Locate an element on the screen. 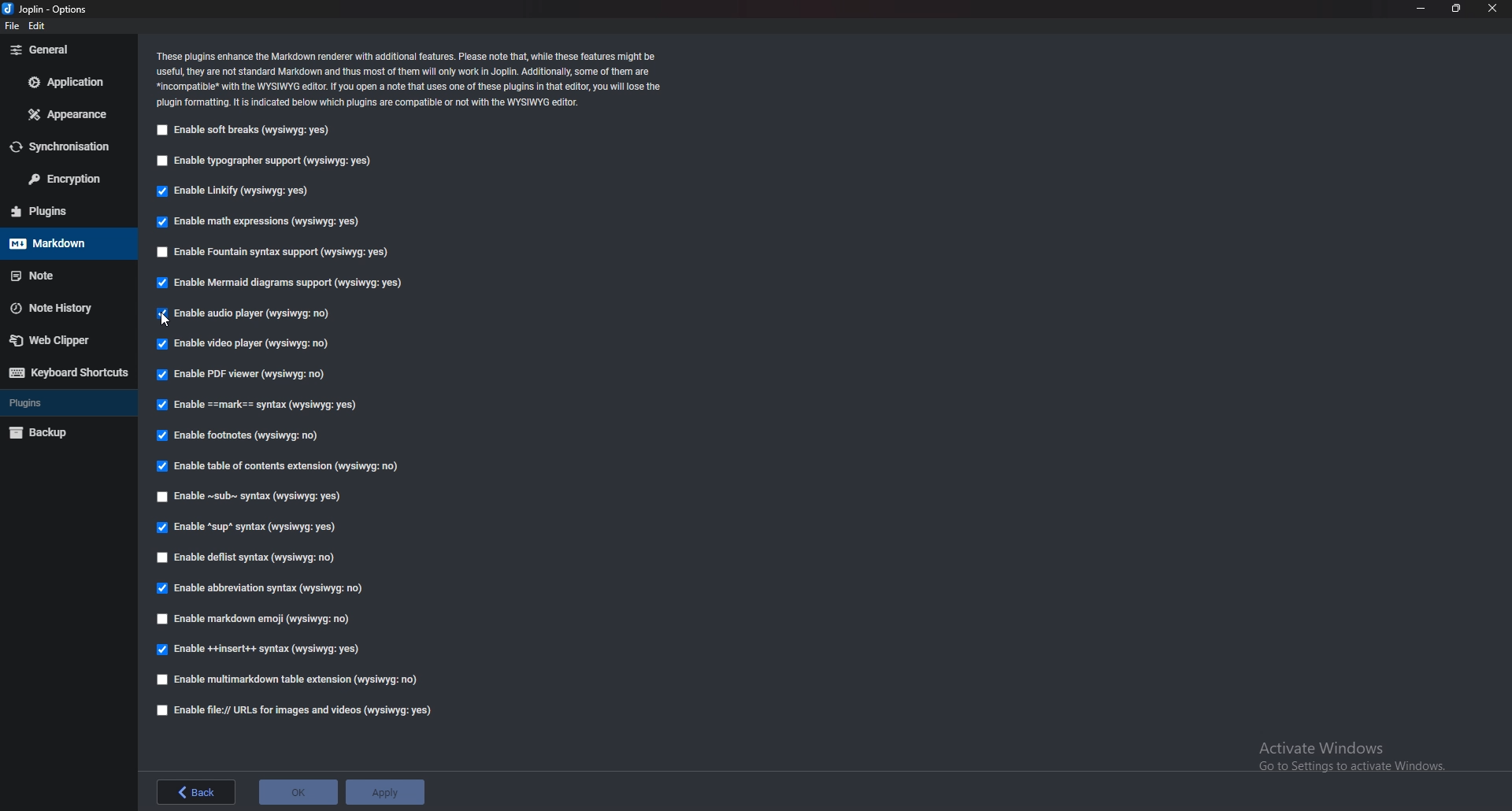 Image resolution: width=1512 pixels, height=811 pixels. cursor is located at coordinates (168, 321).